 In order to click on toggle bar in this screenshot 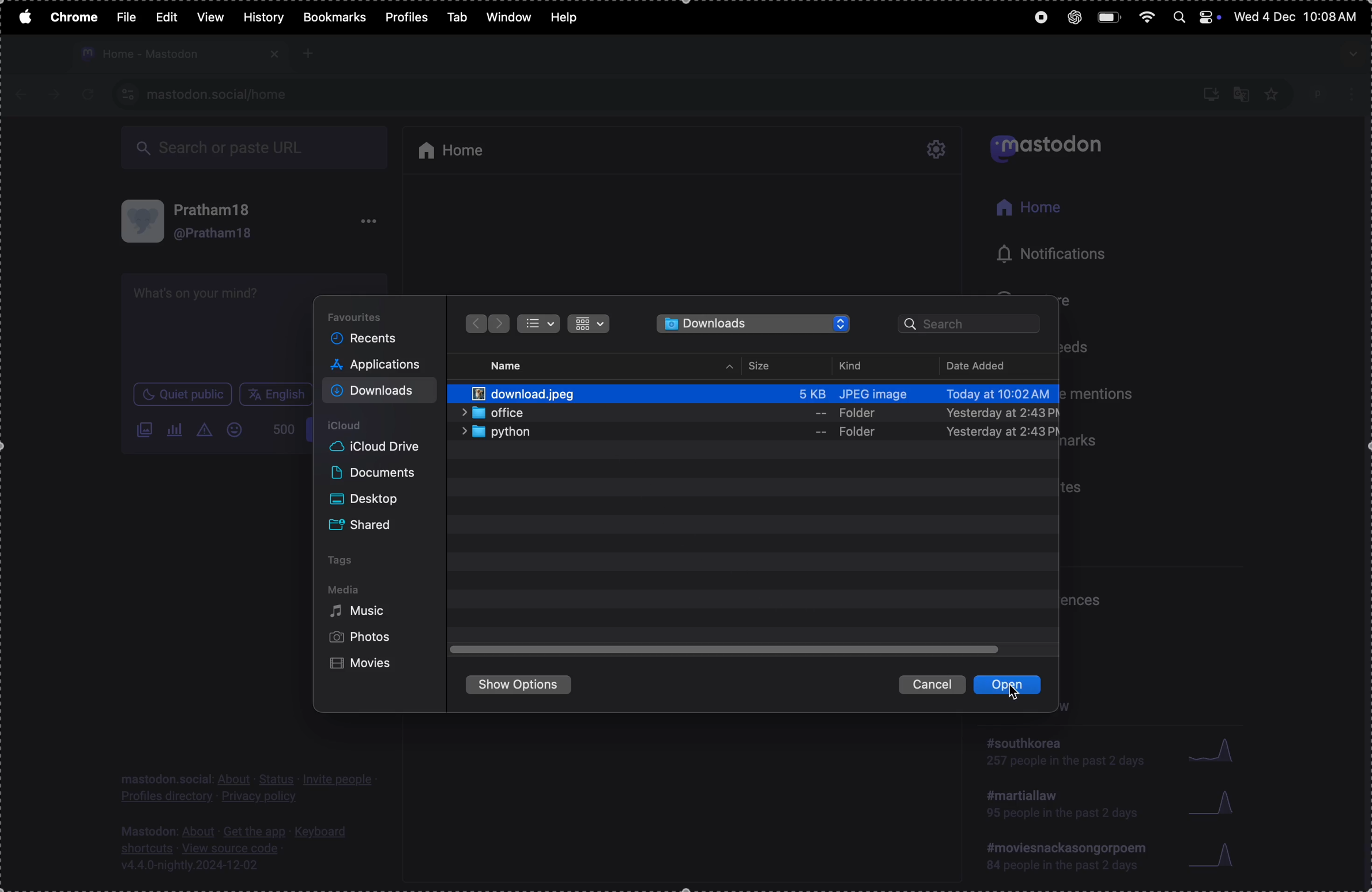, I will do `click(727, 650)`.